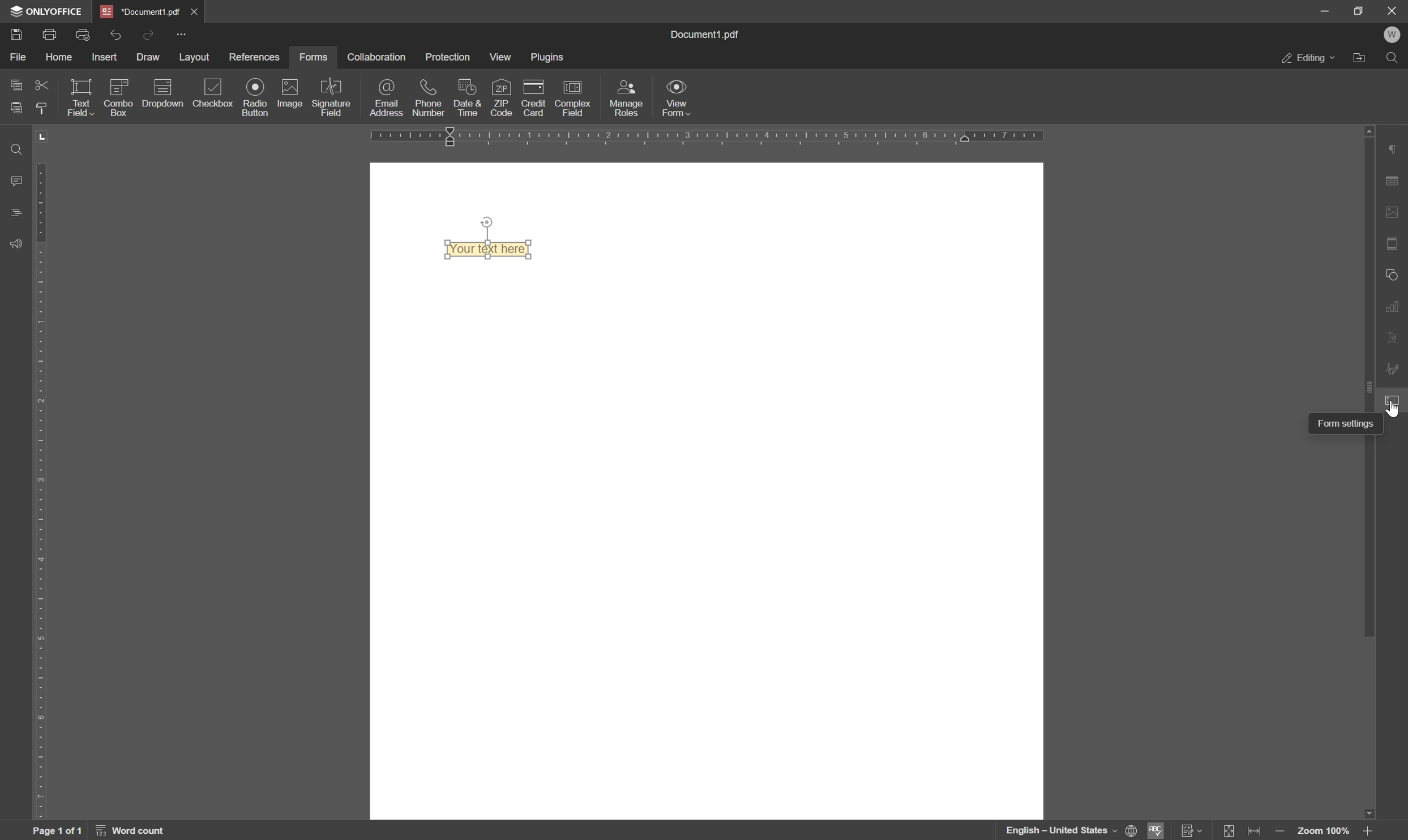 Image resolution: width=1408 pixels, height=840 pixels. Describe the element at coordinates (1347, 423) in the screenshot. I see `form settings` at that location.